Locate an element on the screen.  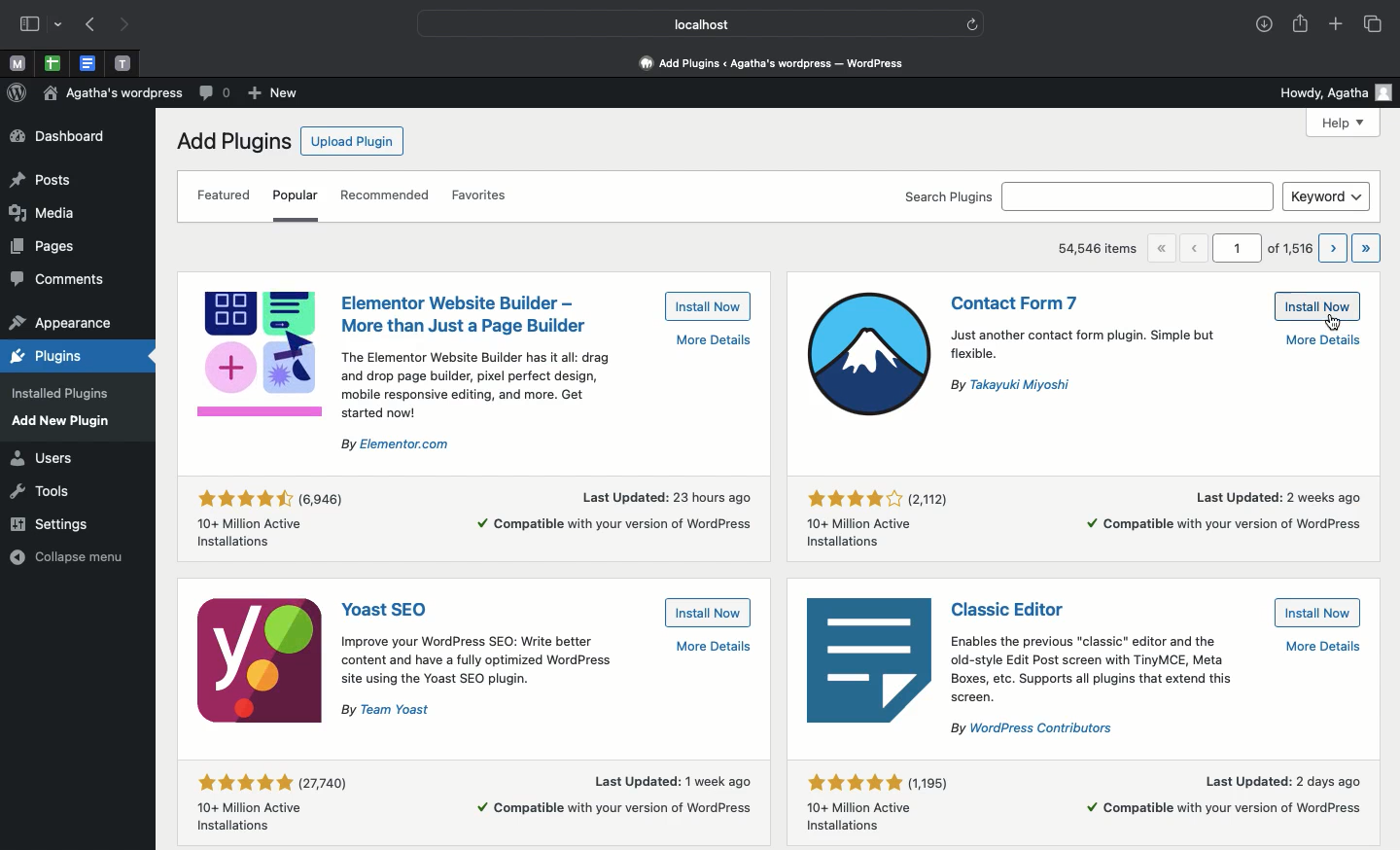
Help is located at coordinates (1345, 123).